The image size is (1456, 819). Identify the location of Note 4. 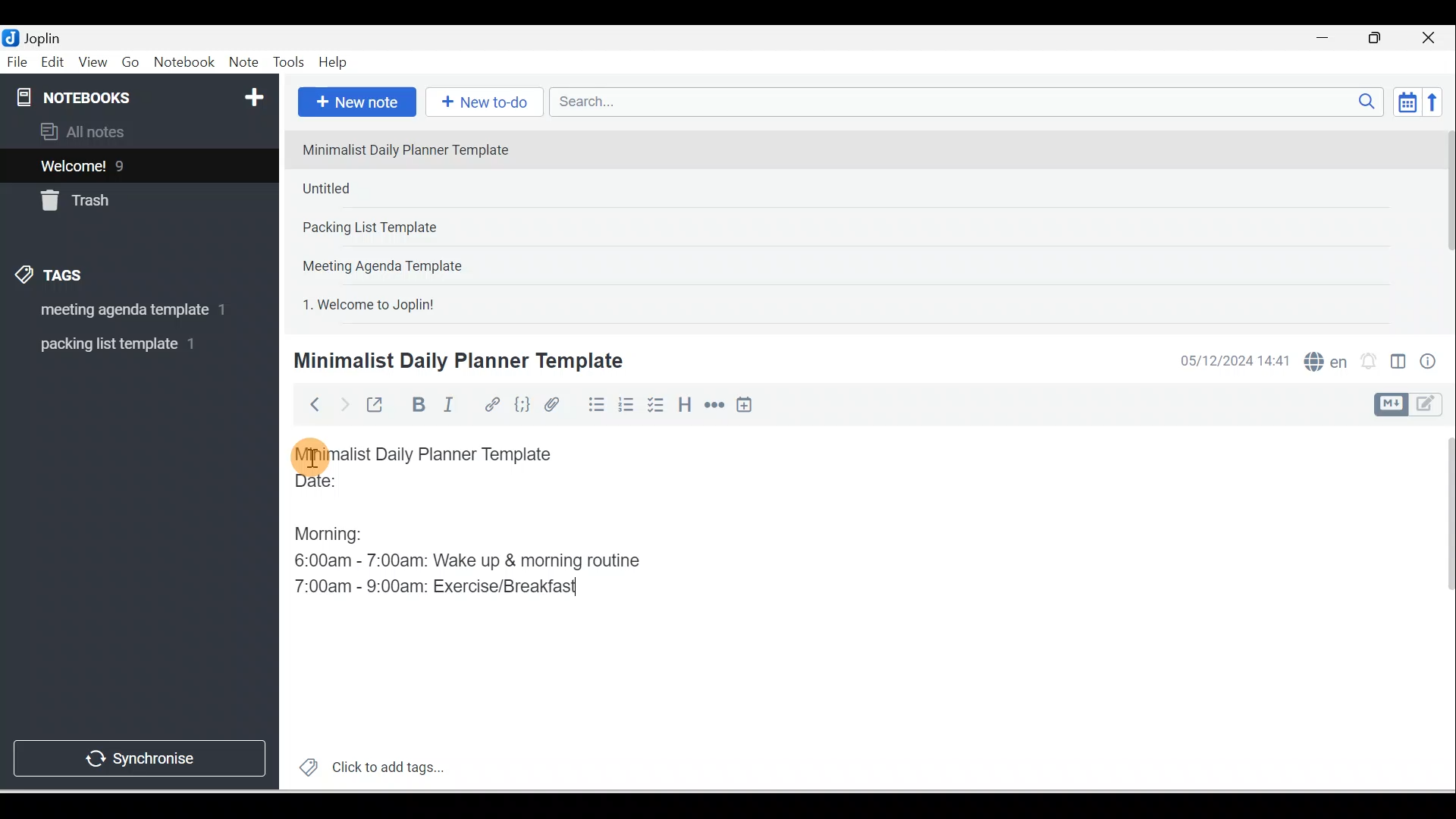
(403, 262).